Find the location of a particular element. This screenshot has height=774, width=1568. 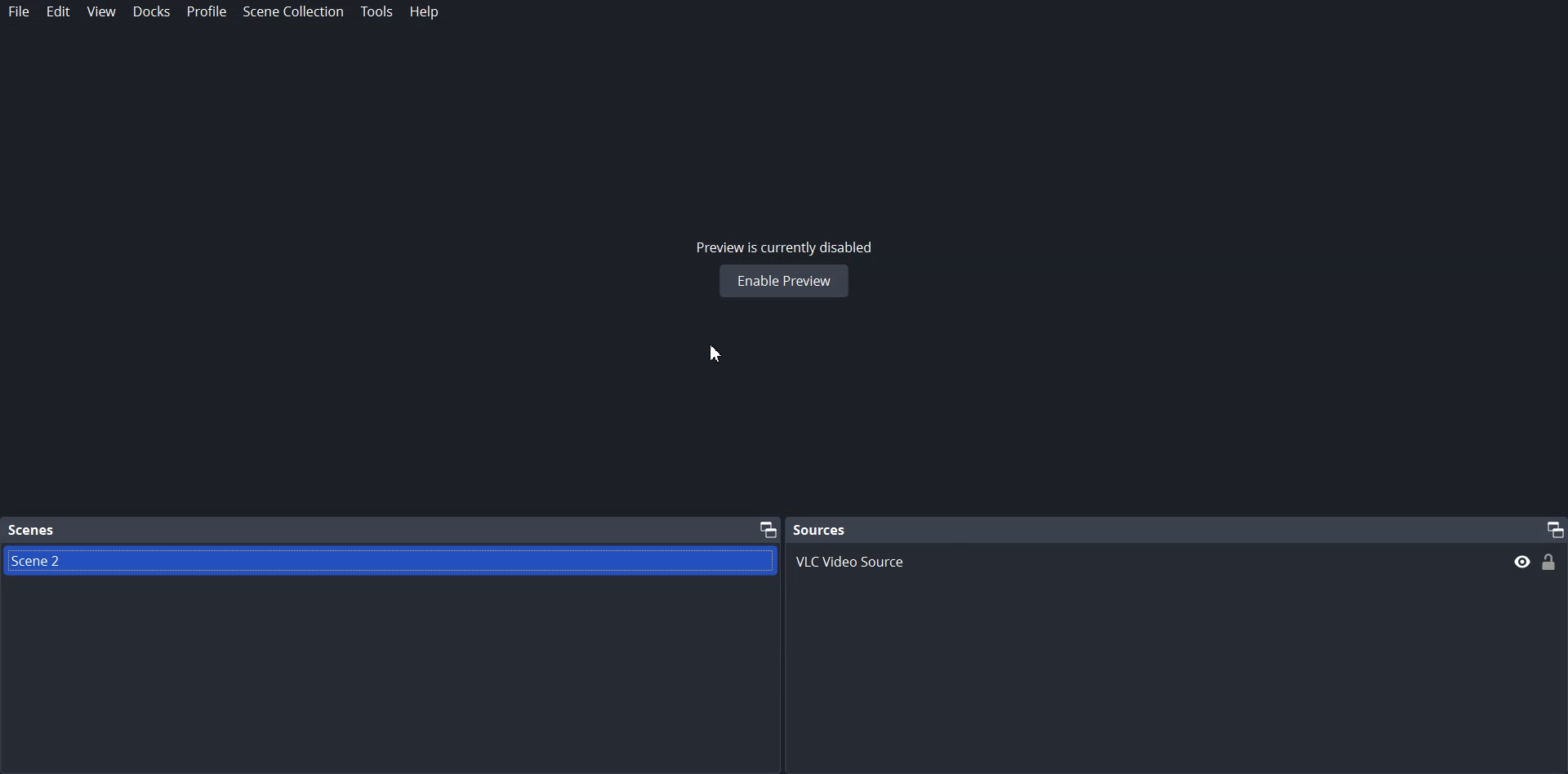

File is located at coordinates (18, 12).